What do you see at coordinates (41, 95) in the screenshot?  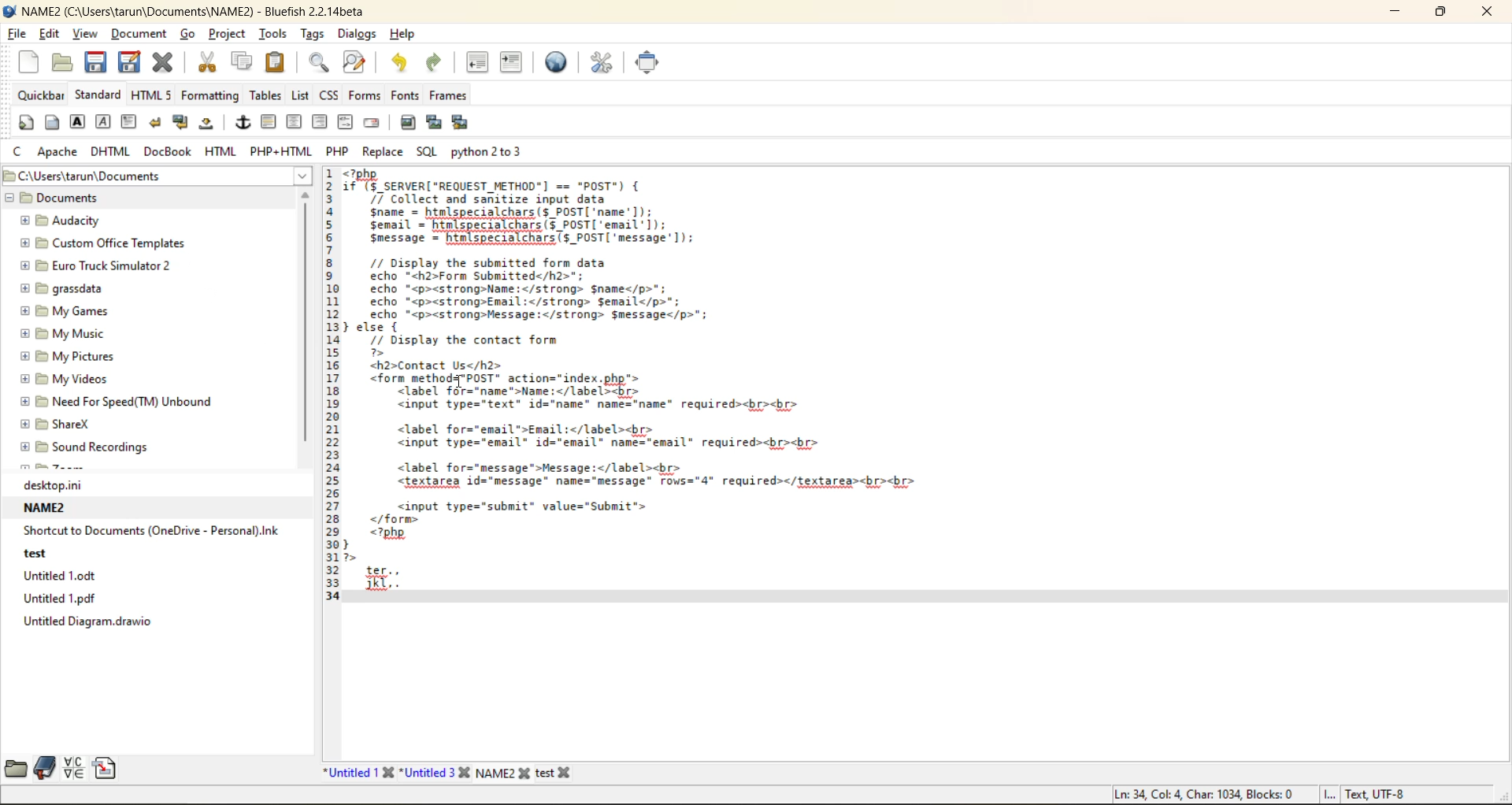 I see `quickbar` at bounding box center [41, 95].